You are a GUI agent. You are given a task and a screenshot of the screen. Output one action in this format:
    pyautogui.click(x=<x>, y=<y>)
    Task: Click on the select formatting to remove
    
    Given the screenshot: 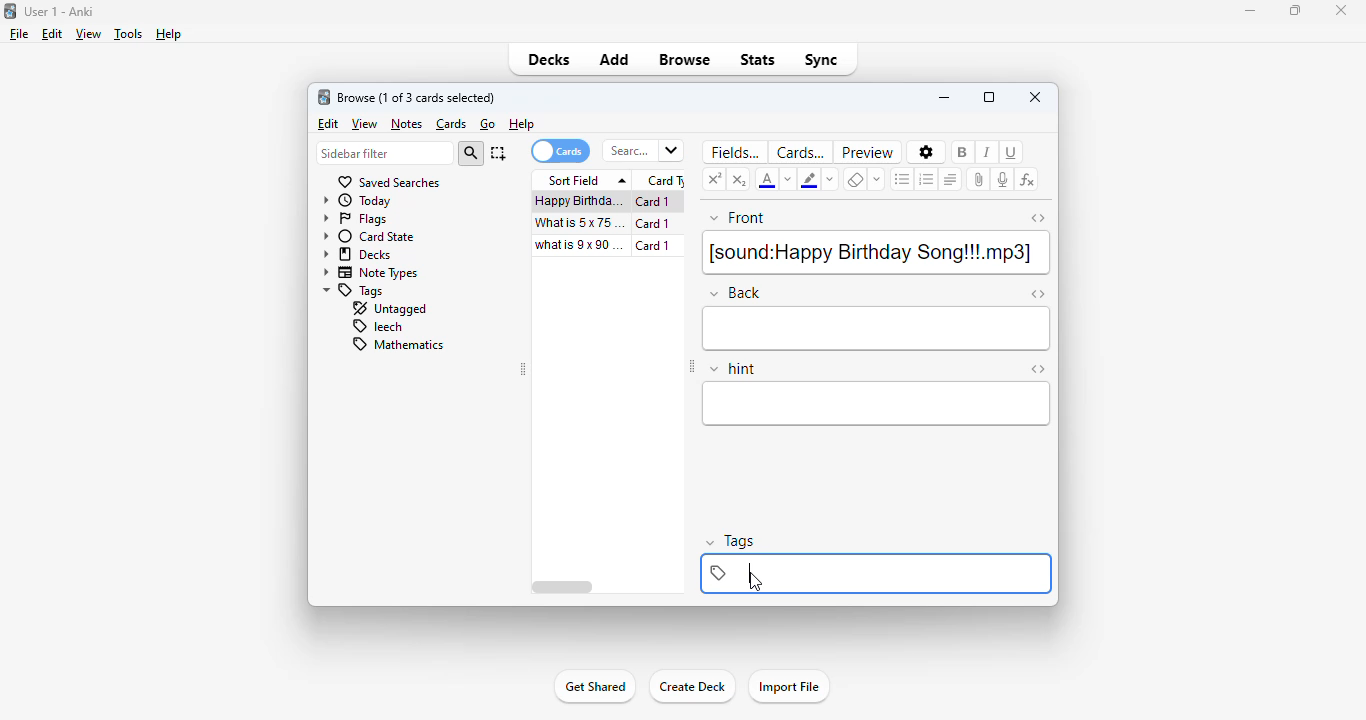 What is the action you would take?
    pyautogui.click(x=878, y=179)
    